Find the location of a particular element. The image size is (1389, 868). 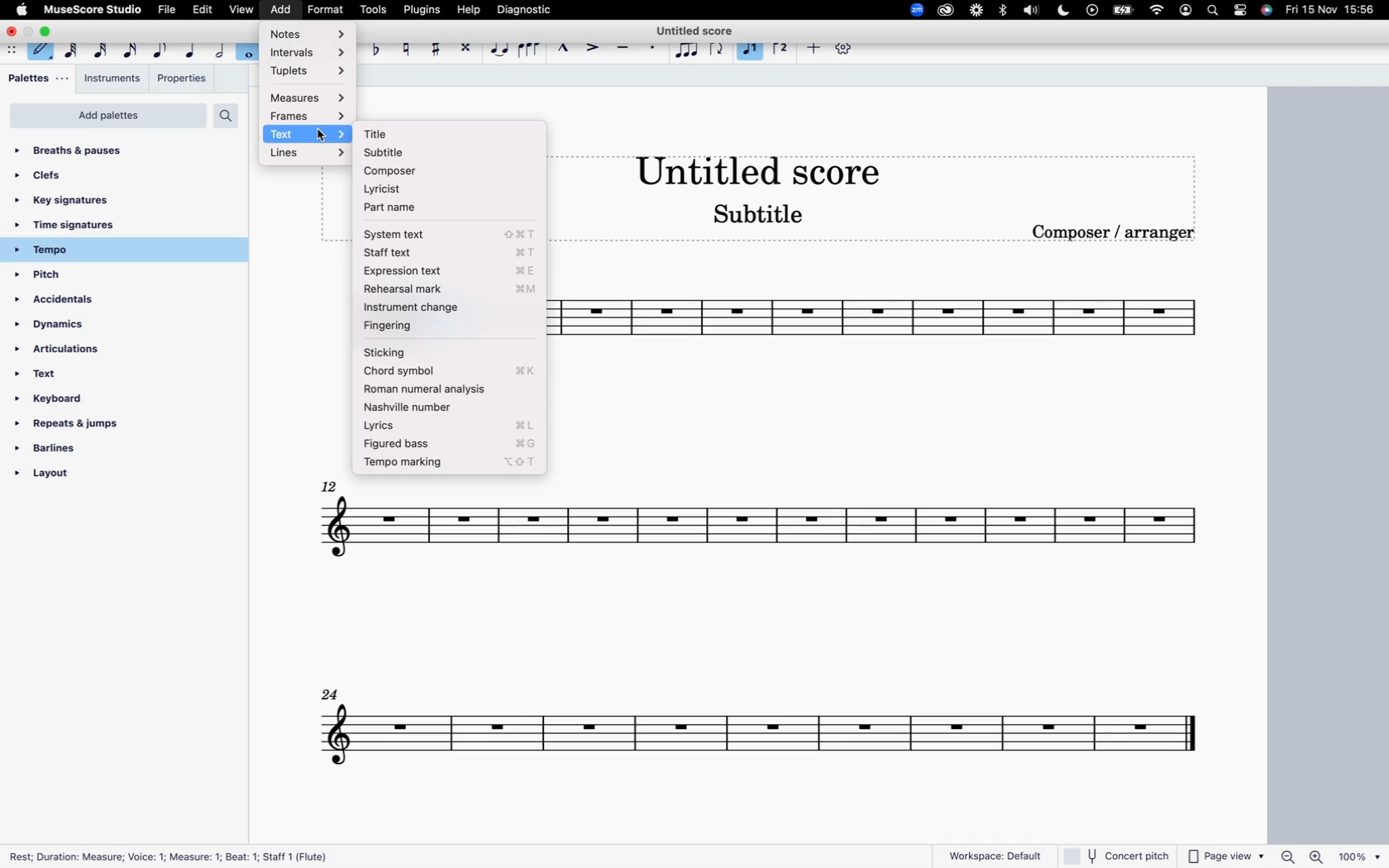

subtitle is located at coordinates (429, 154).